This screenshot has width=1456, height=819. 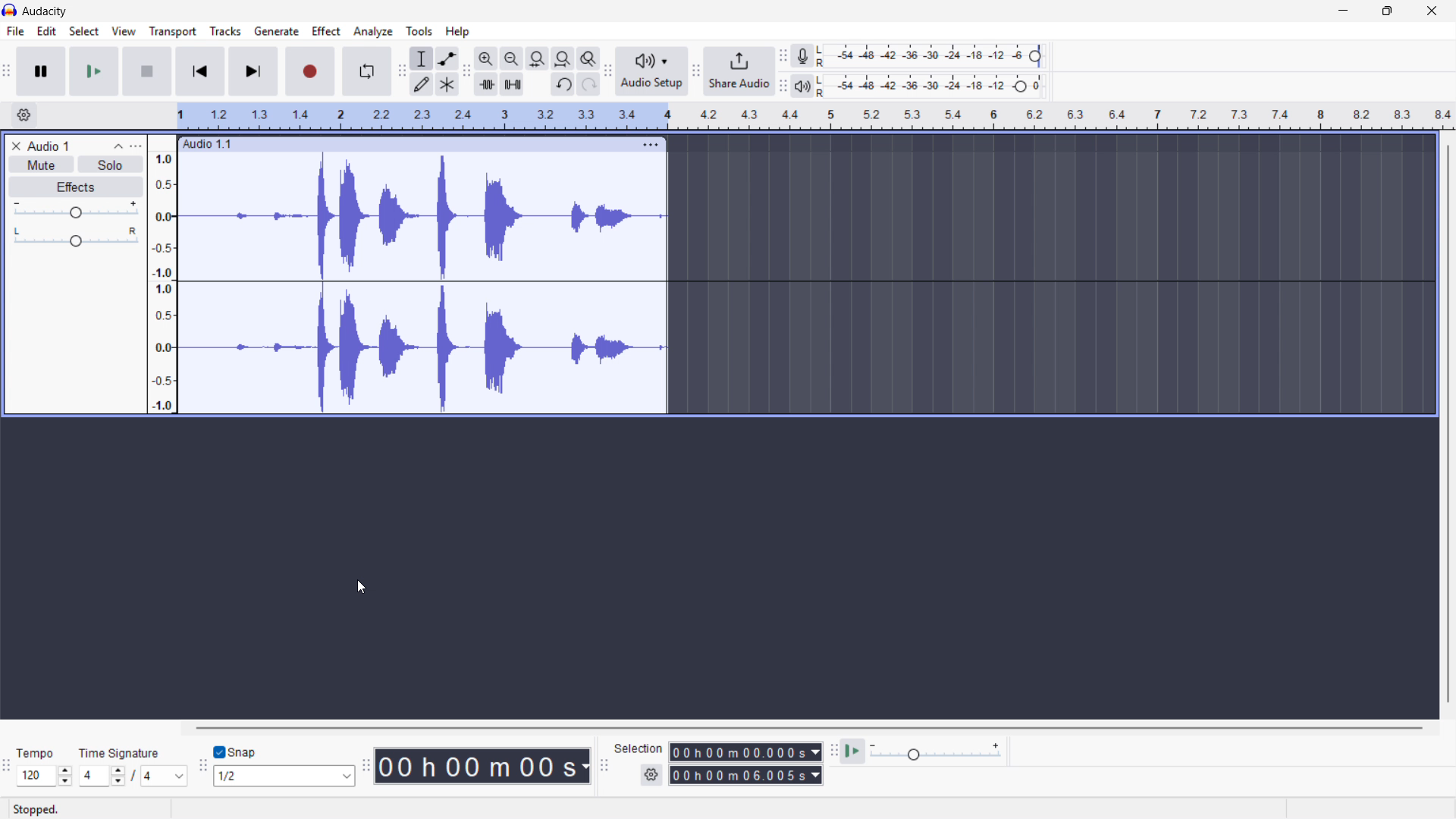 What do you see at coordinates (162, 275) in the screenshot?
I see `Amplitude` at bounding box center [162, 275].